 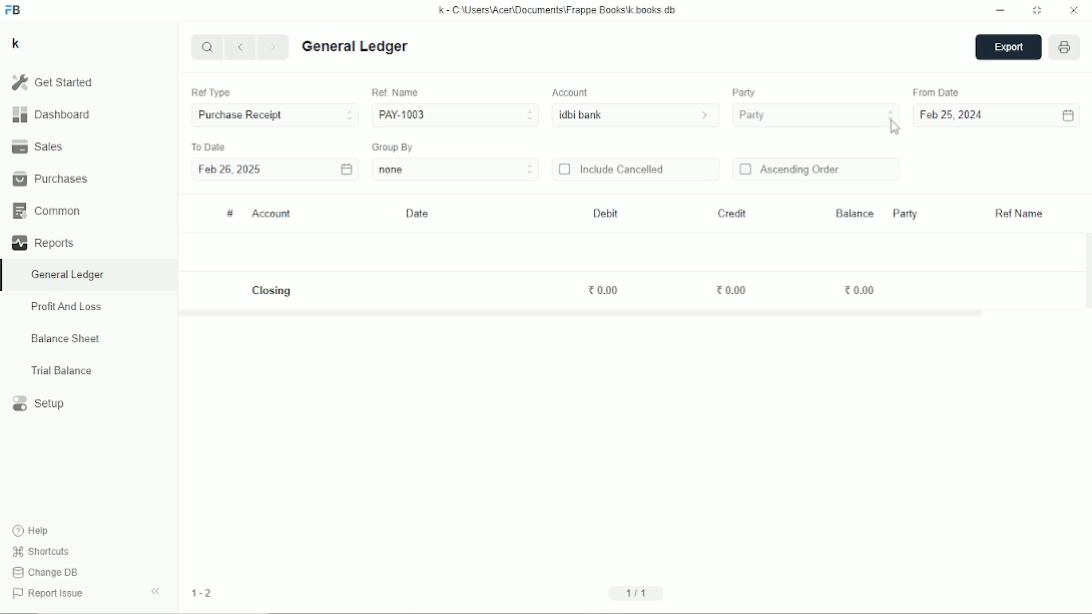 What do you see at coordinates (455, 114) in the screenshot?
I see `PAY-1003` at bounding box center [455, 114].